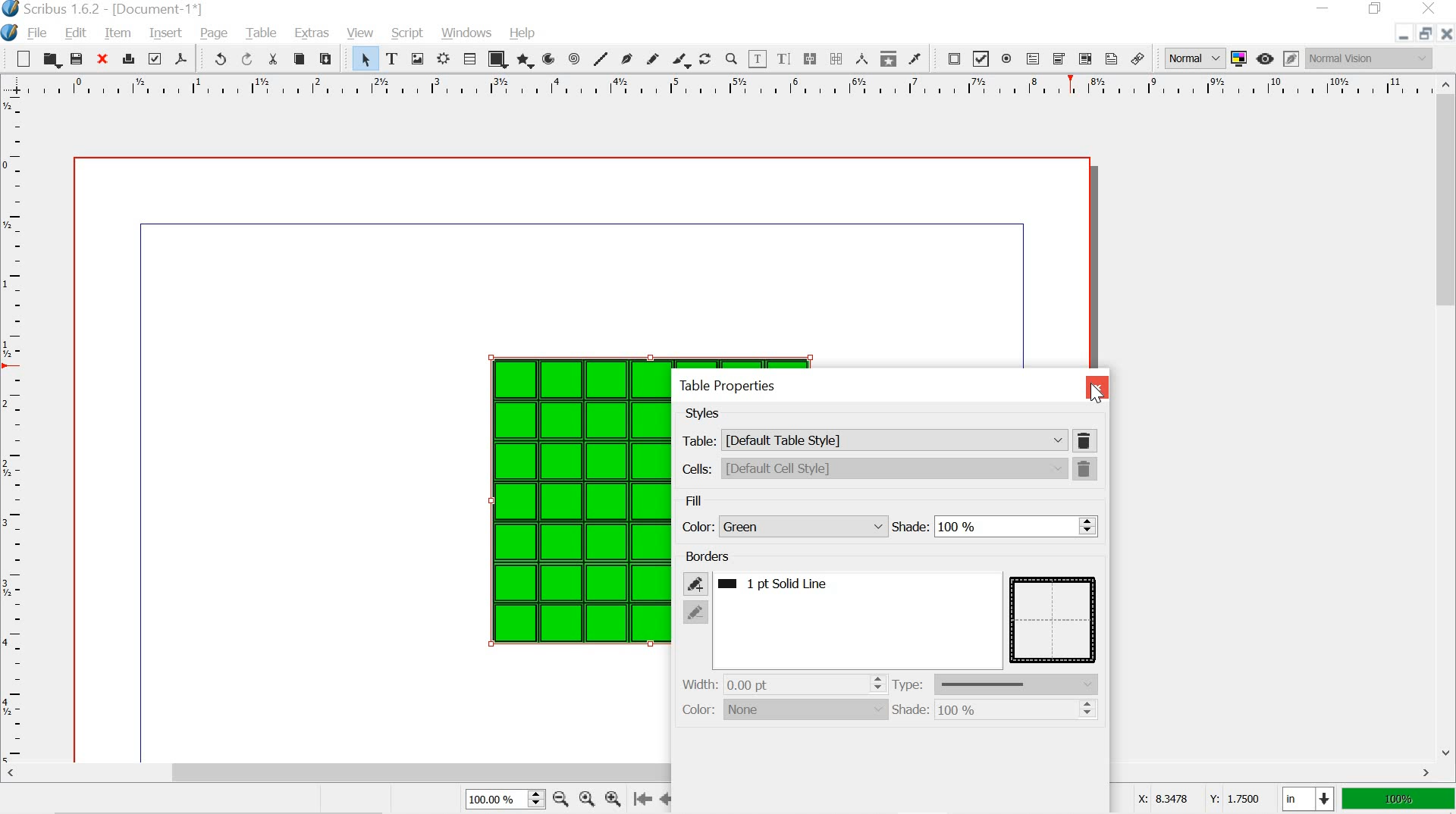 The height and width of the screenshot is (814, 1456). What do you see at coordinates (1265, 59) in the screenshot?
I see `preview mode` at bounding box center [1265, 59].